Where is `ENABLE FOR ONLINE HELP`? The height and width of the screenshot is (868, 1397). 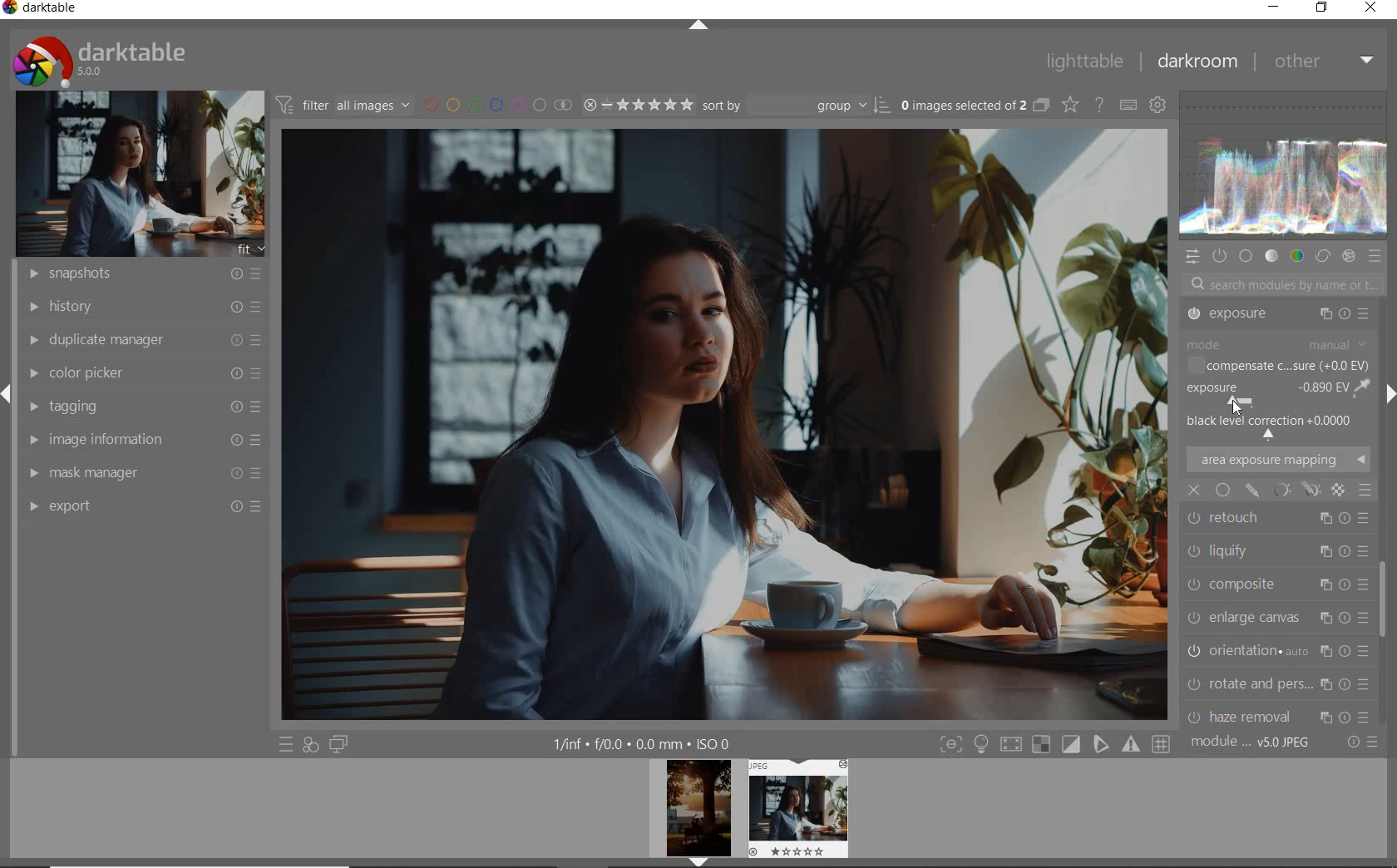
ENABLE FOR ONLINE HELP is located at coordinates (1099, 105).